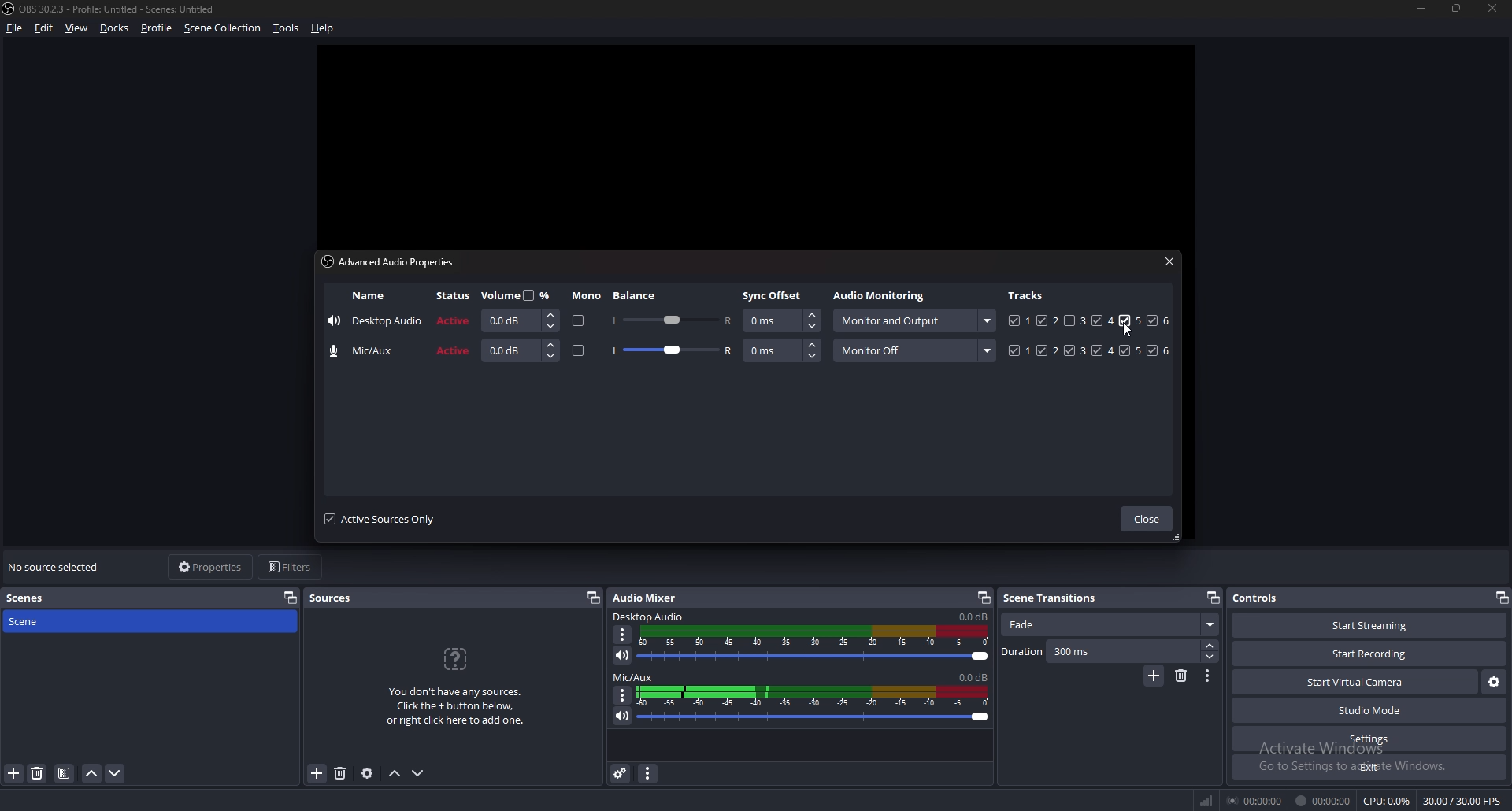 This screenshot has width=1512, height=811. What do you see at coordinates (58, 568) in the screenshot?
I see `no souce selected` at bounding box center [58, 568].